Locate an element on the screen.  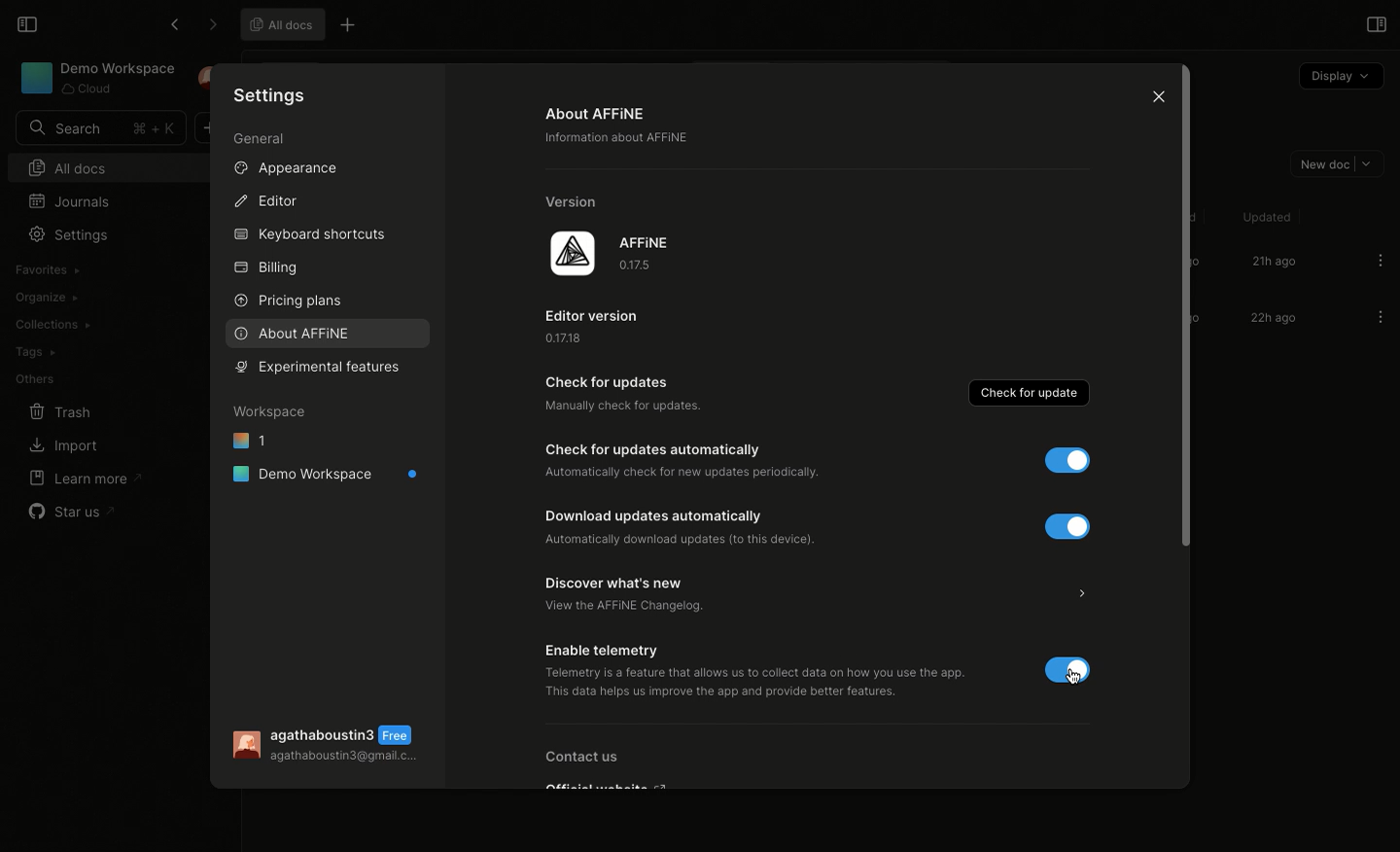
Updated is located at coordinates (1264, 217).